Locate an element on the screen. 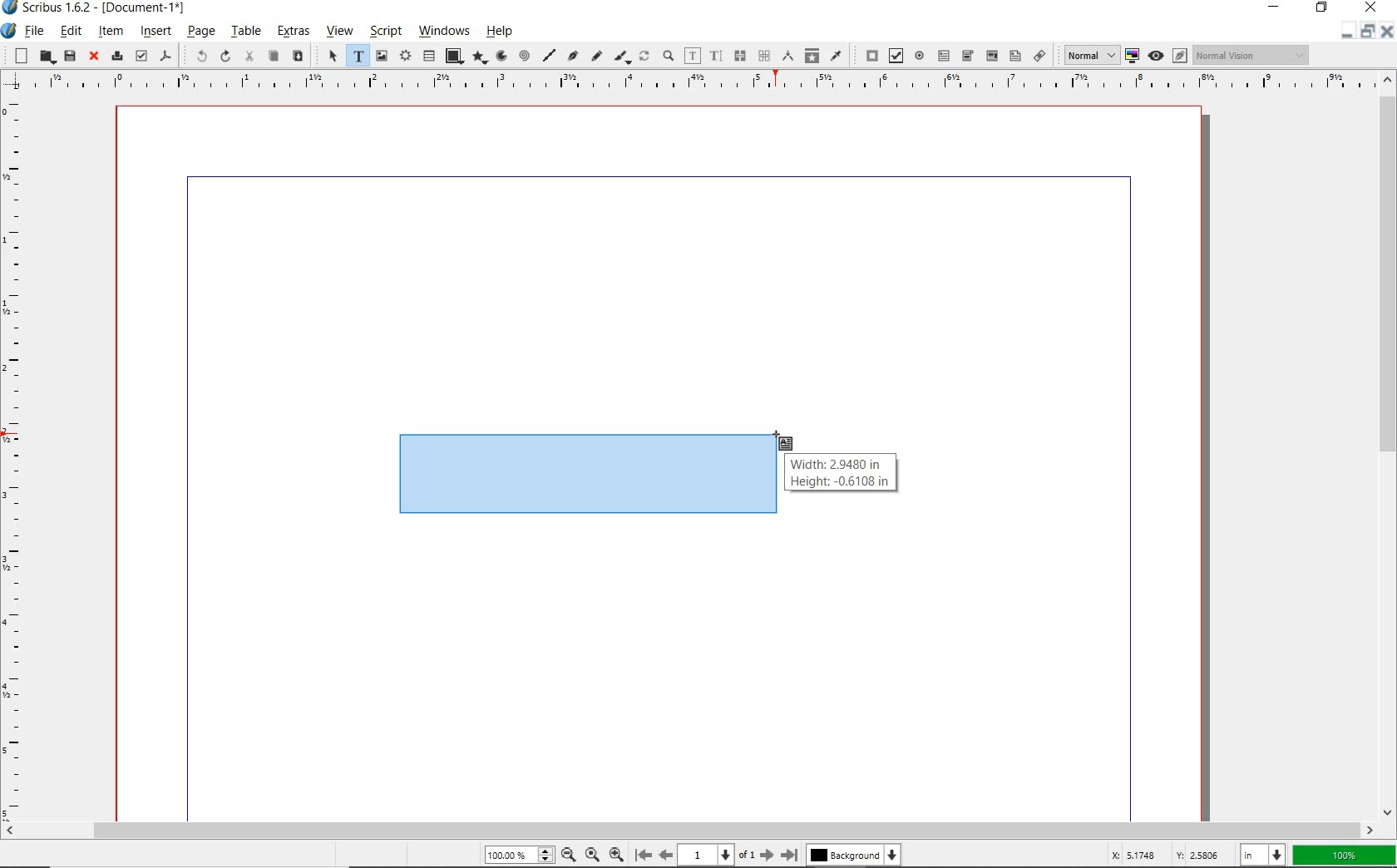  line is located at coordinates (548, 55).